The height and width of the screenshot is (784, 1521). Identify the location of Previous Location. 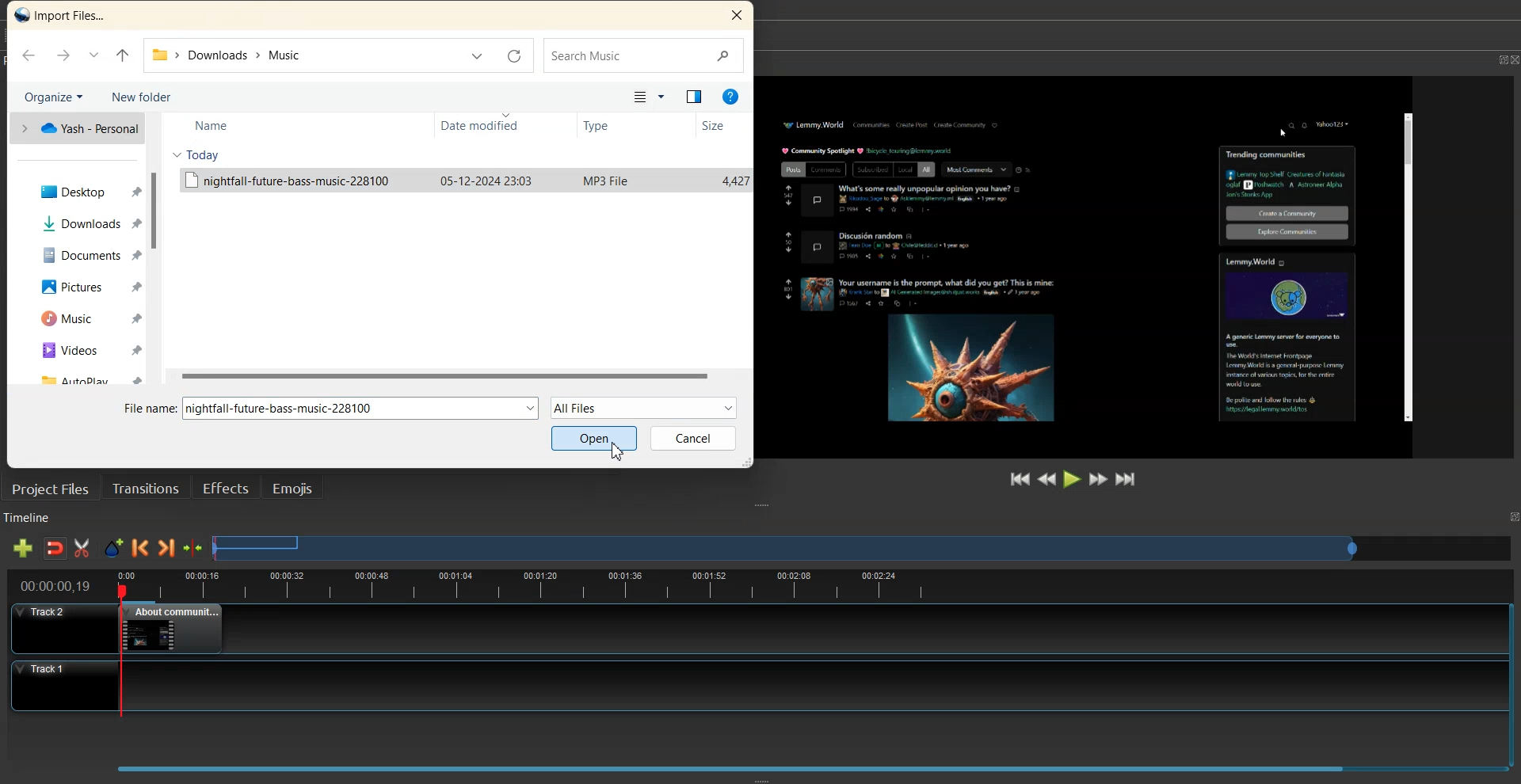
(476, 56).